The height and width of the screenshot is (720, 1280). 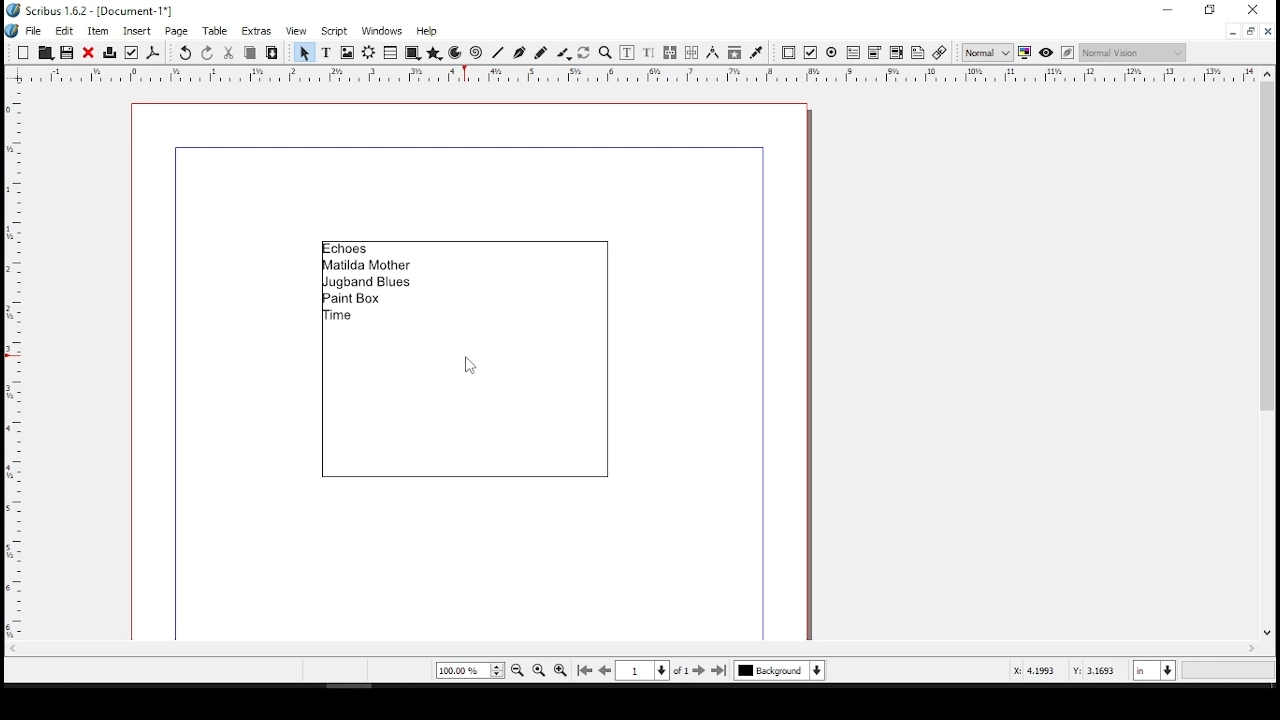 I want to click on text frame, so click(x=326, y=53).